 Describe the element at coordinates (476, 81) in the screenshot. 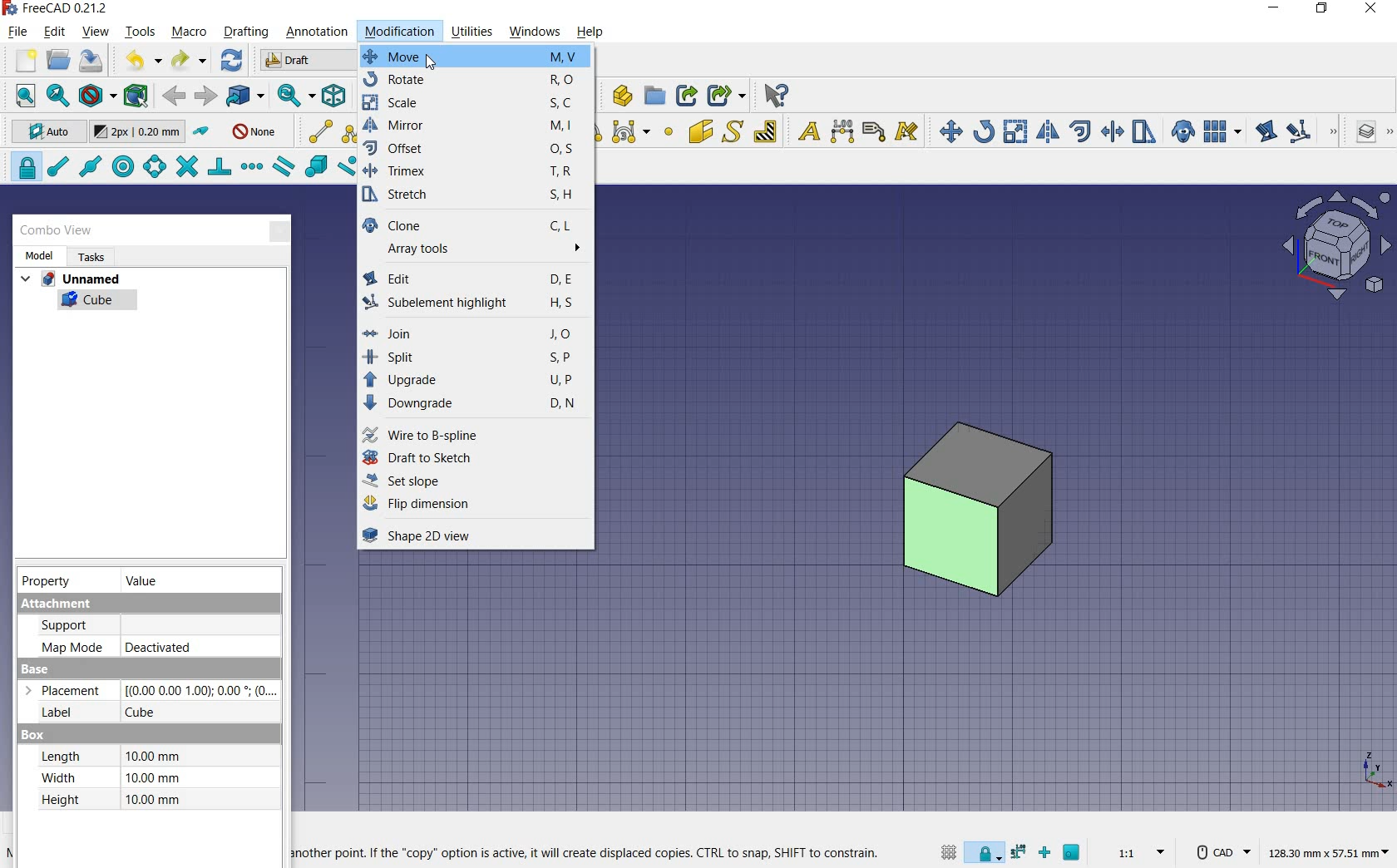

I see `rotate` at that location.